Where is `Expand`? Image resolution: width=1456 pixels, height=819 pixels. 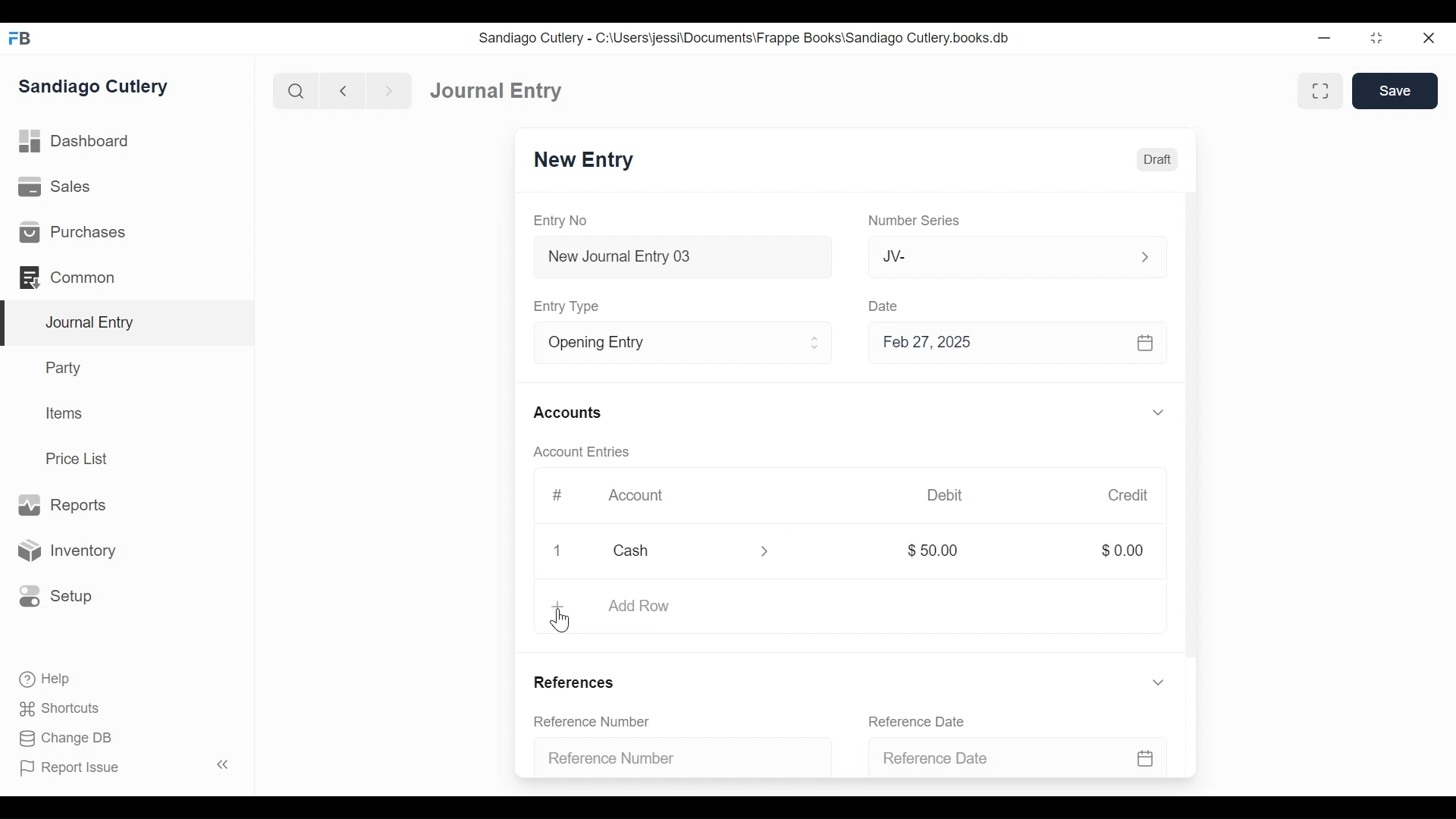
Expand is located at coordinates (816, 344).